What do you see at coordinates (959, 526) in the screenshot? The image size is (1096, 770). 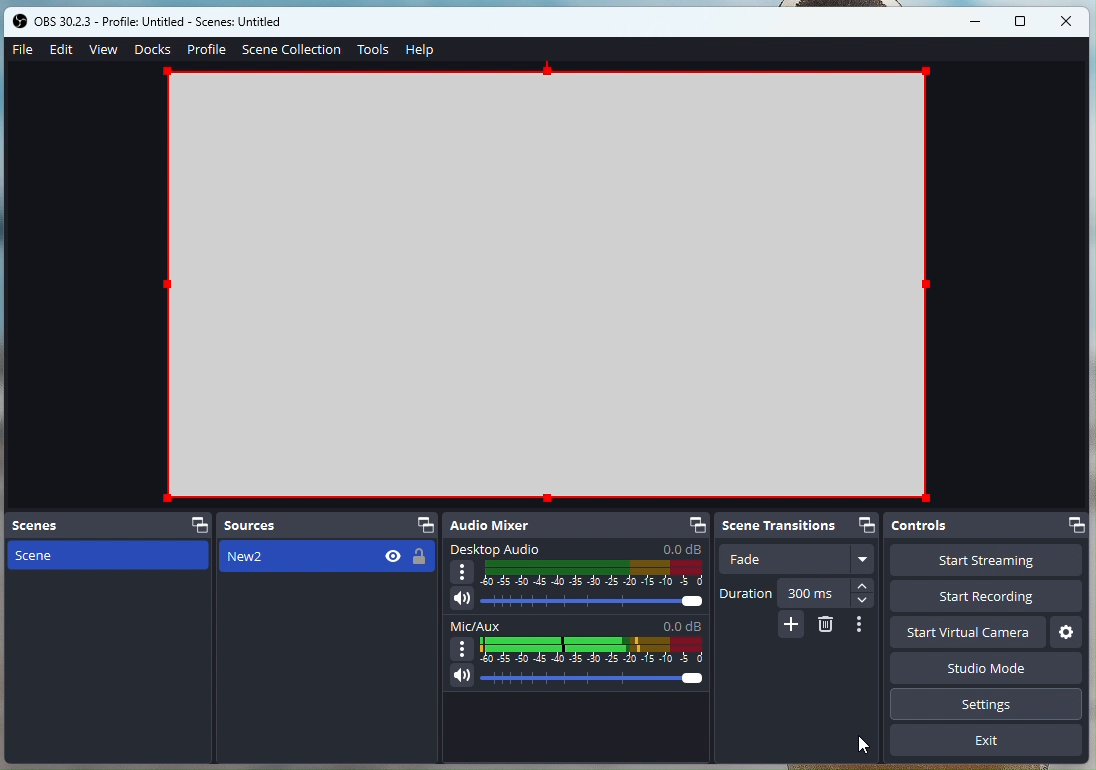 I see `Controls` at bounding box center [959, 526].